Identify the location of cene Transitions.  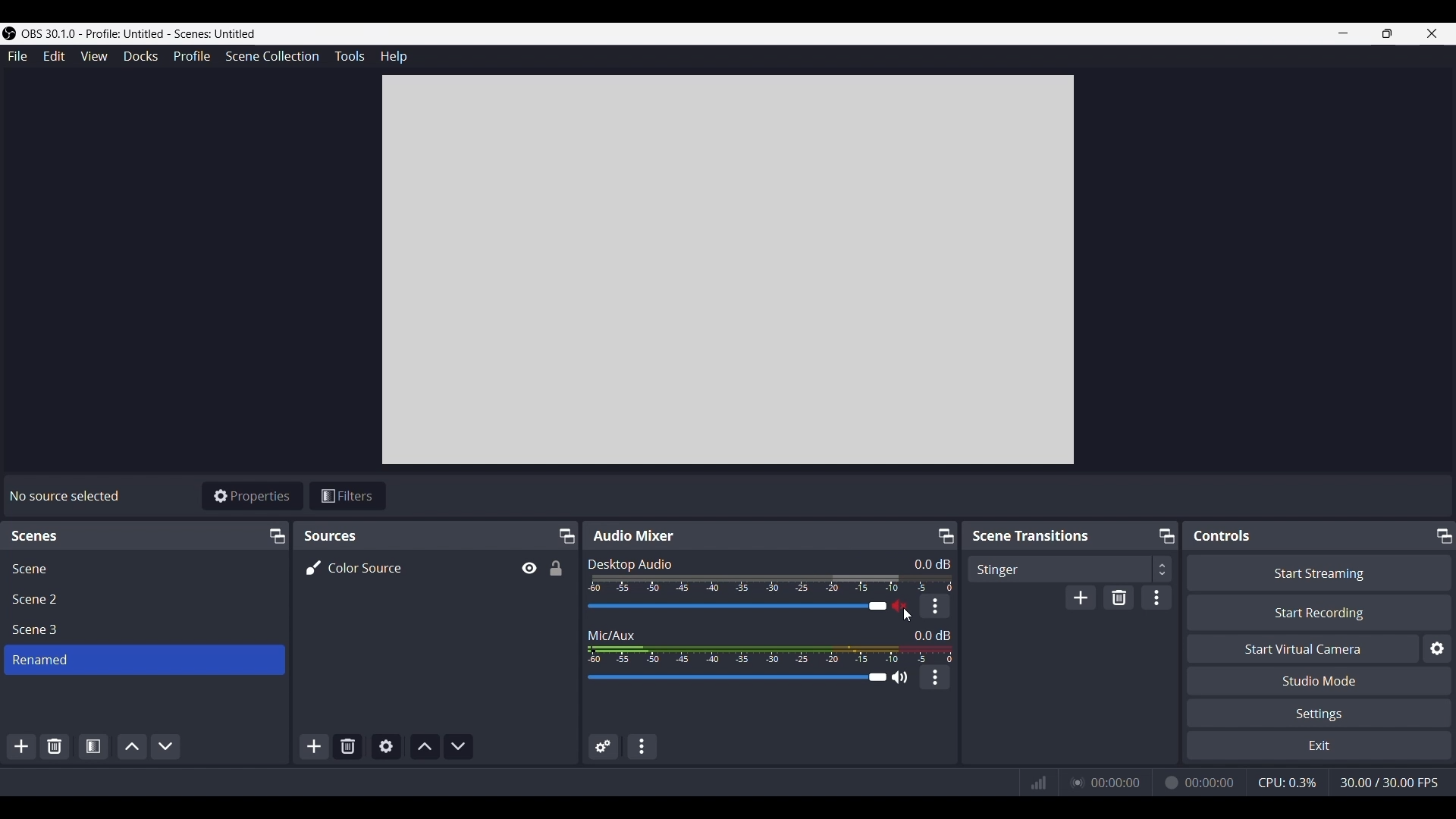
(1034, 536).